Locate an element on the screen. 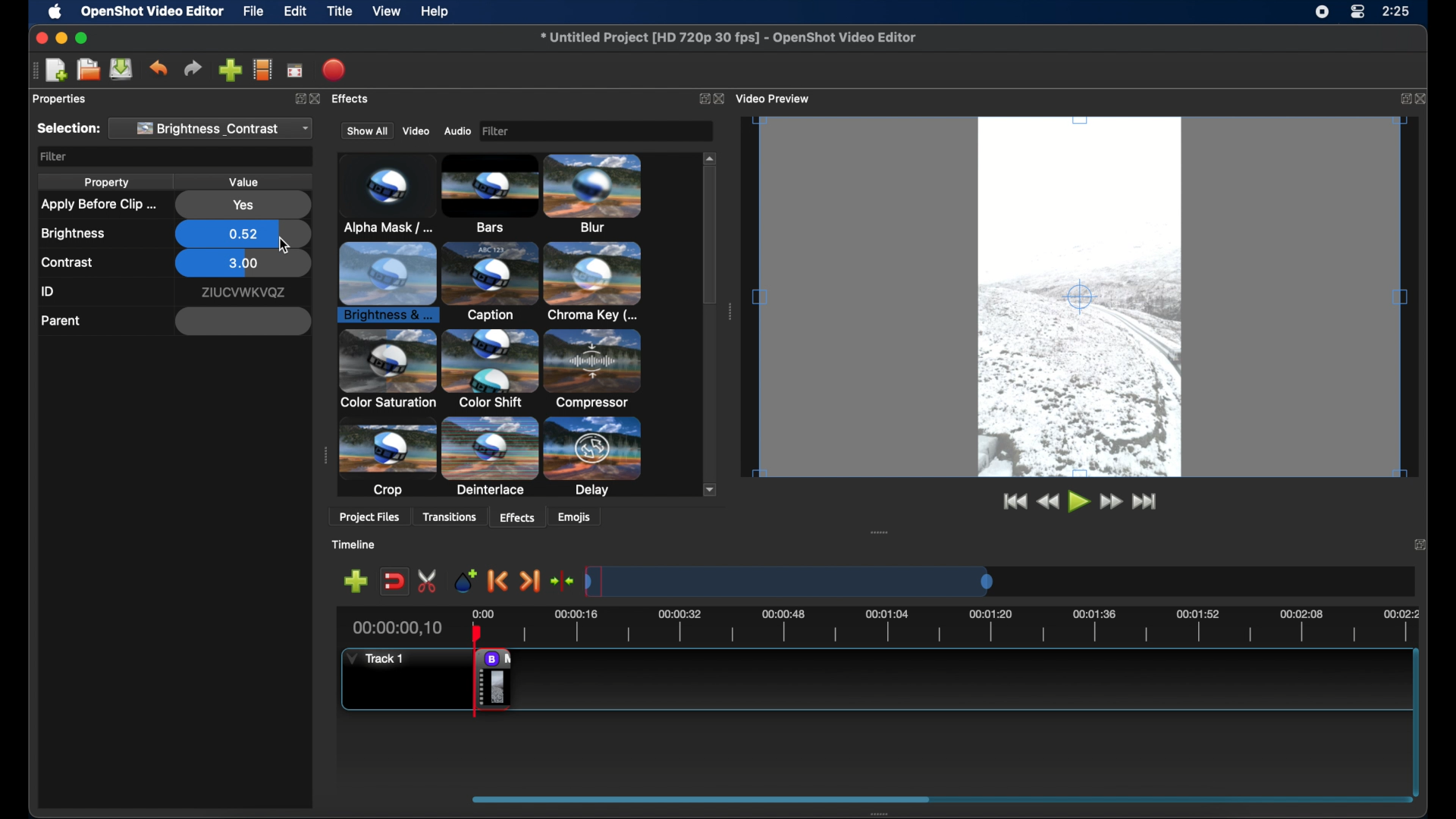 Image resolution: width=1456 pixels, height=819 pixels. id is located at coordinates (49, 292).